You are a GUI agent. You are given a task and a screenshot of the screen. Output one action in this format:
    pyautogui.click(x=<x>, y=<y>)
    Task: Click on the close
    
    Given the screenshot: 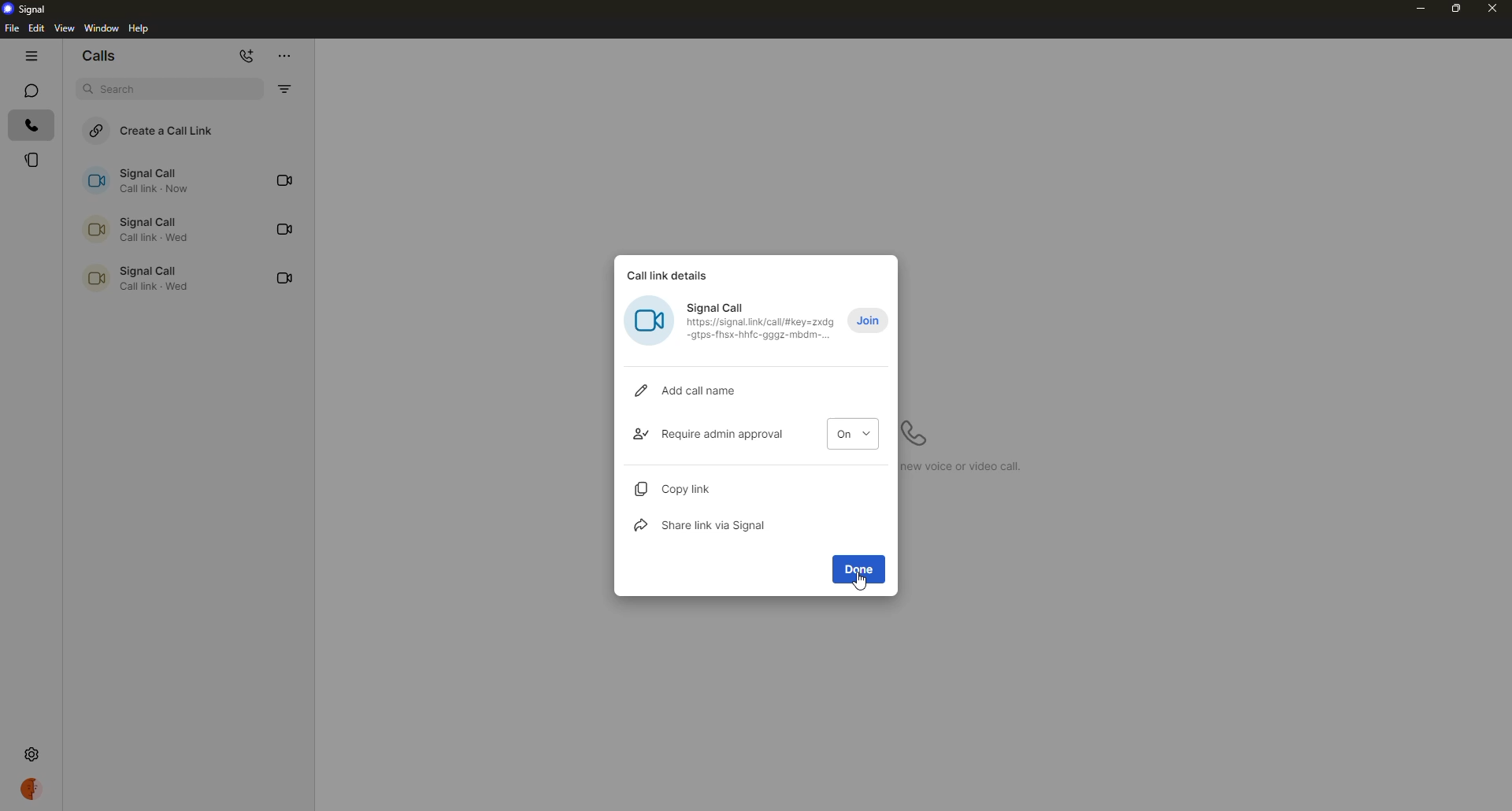 What is the action you would take?
    pyautogui.click(x=1495, y=8)
    